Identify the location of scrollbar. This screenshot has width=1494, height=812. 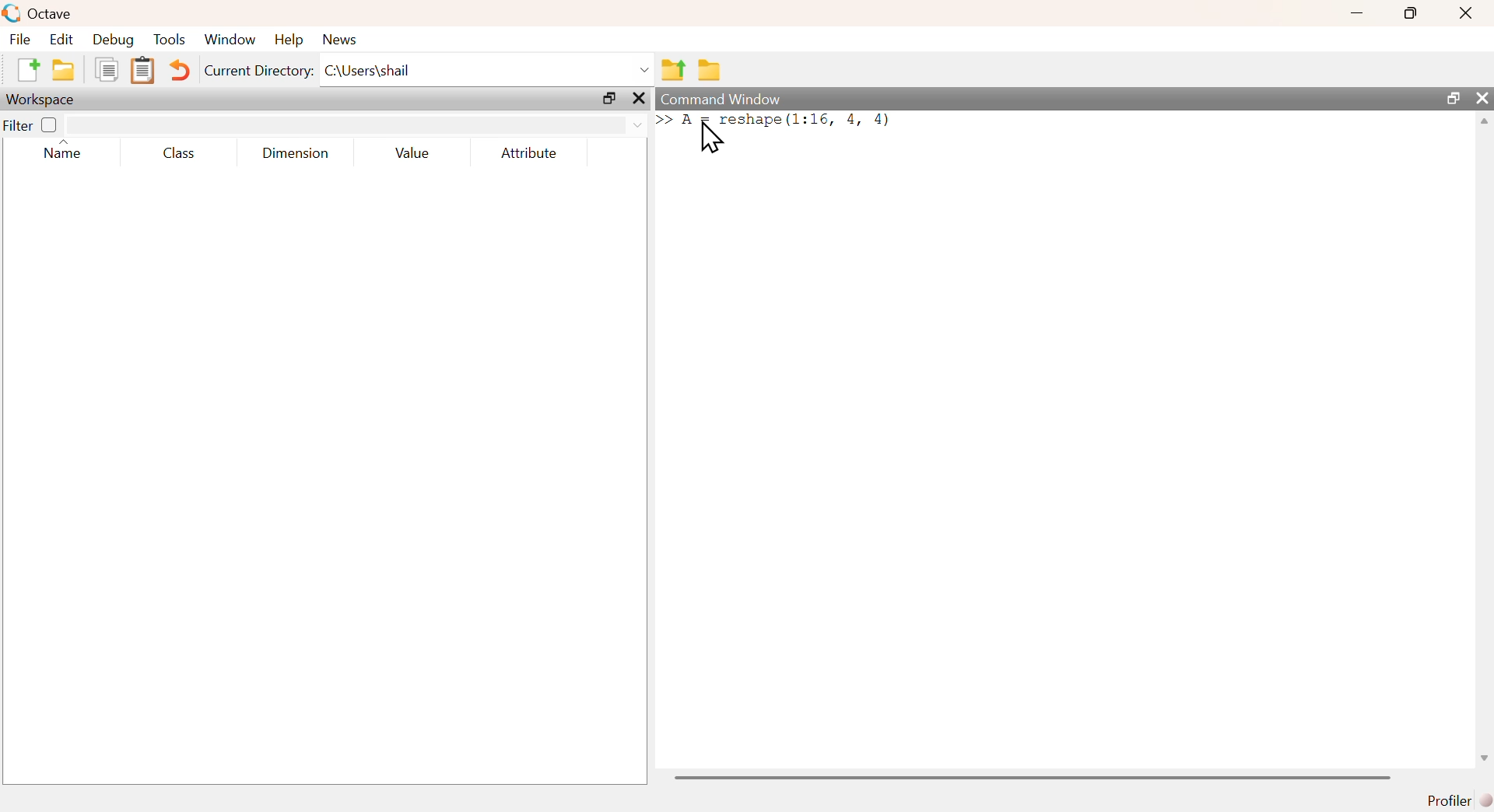
(1033, 777).